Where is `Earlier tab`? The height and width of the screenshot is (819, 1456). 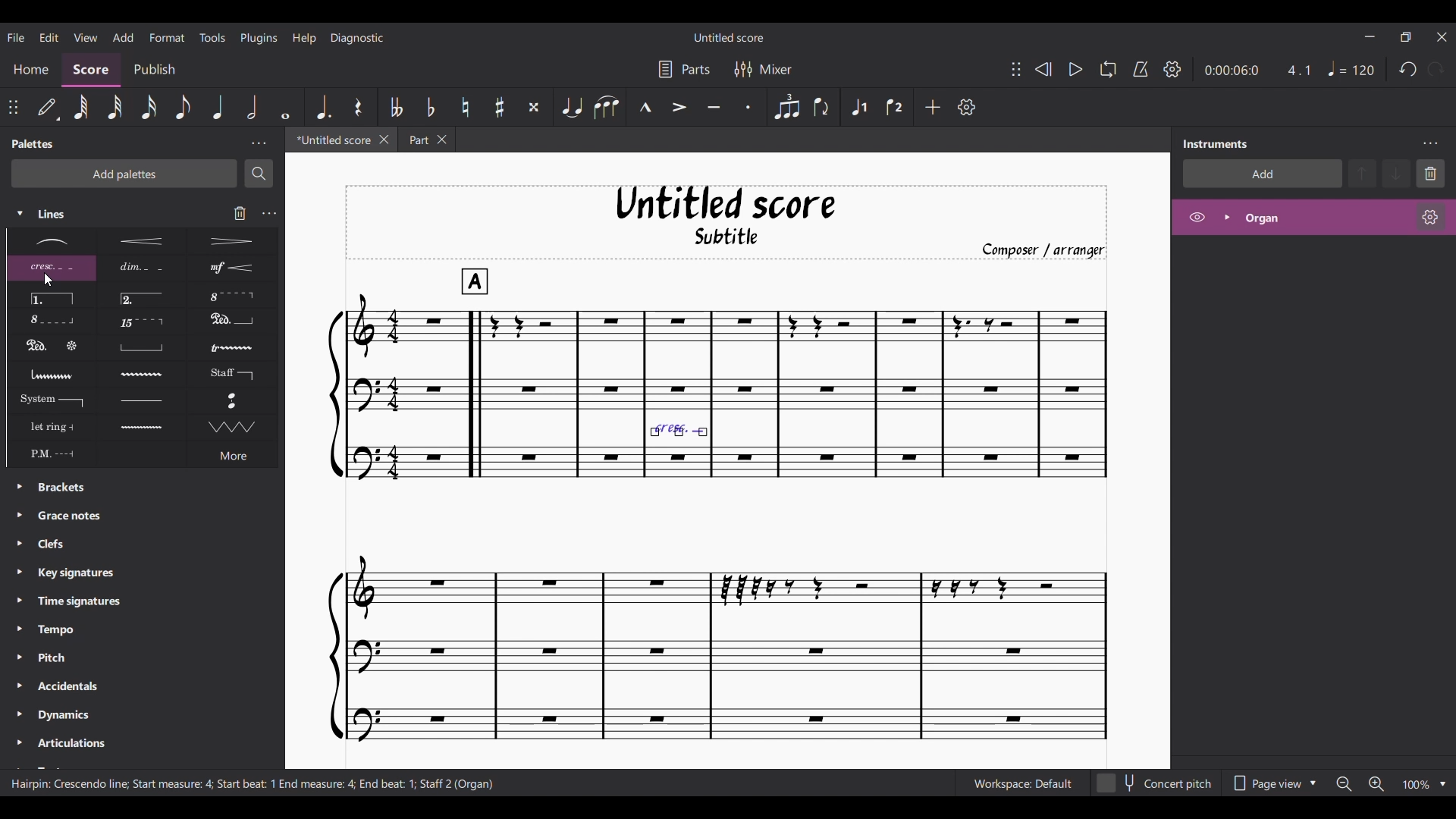 Earlier tab is located at coordinates (426, 140).